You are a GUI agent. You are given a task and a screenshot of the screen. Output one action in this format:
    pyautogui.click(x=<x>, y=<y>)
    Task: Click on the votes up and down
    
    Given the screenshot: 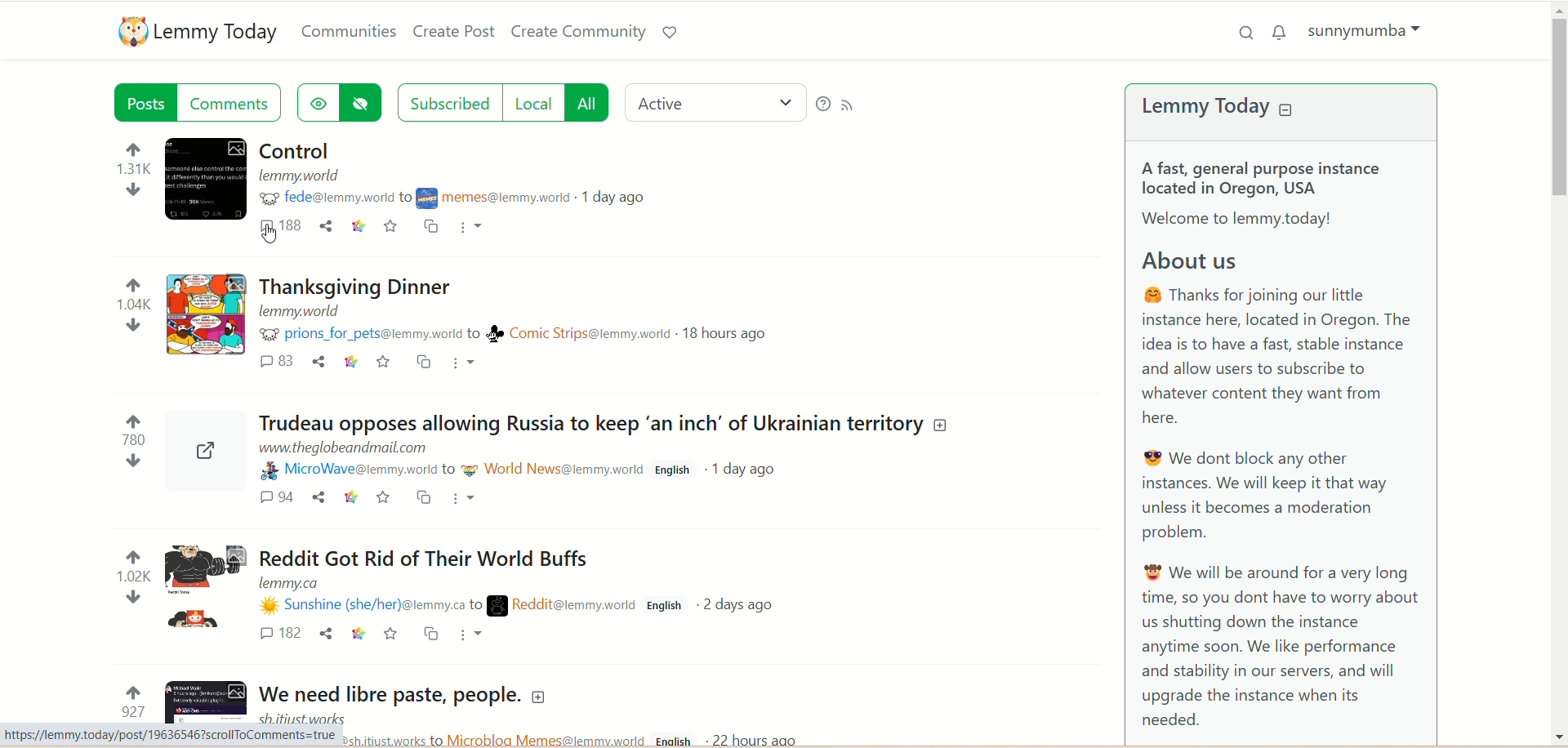 What is the action you would take?
    pyautogui.click(x=120, y=701)
    